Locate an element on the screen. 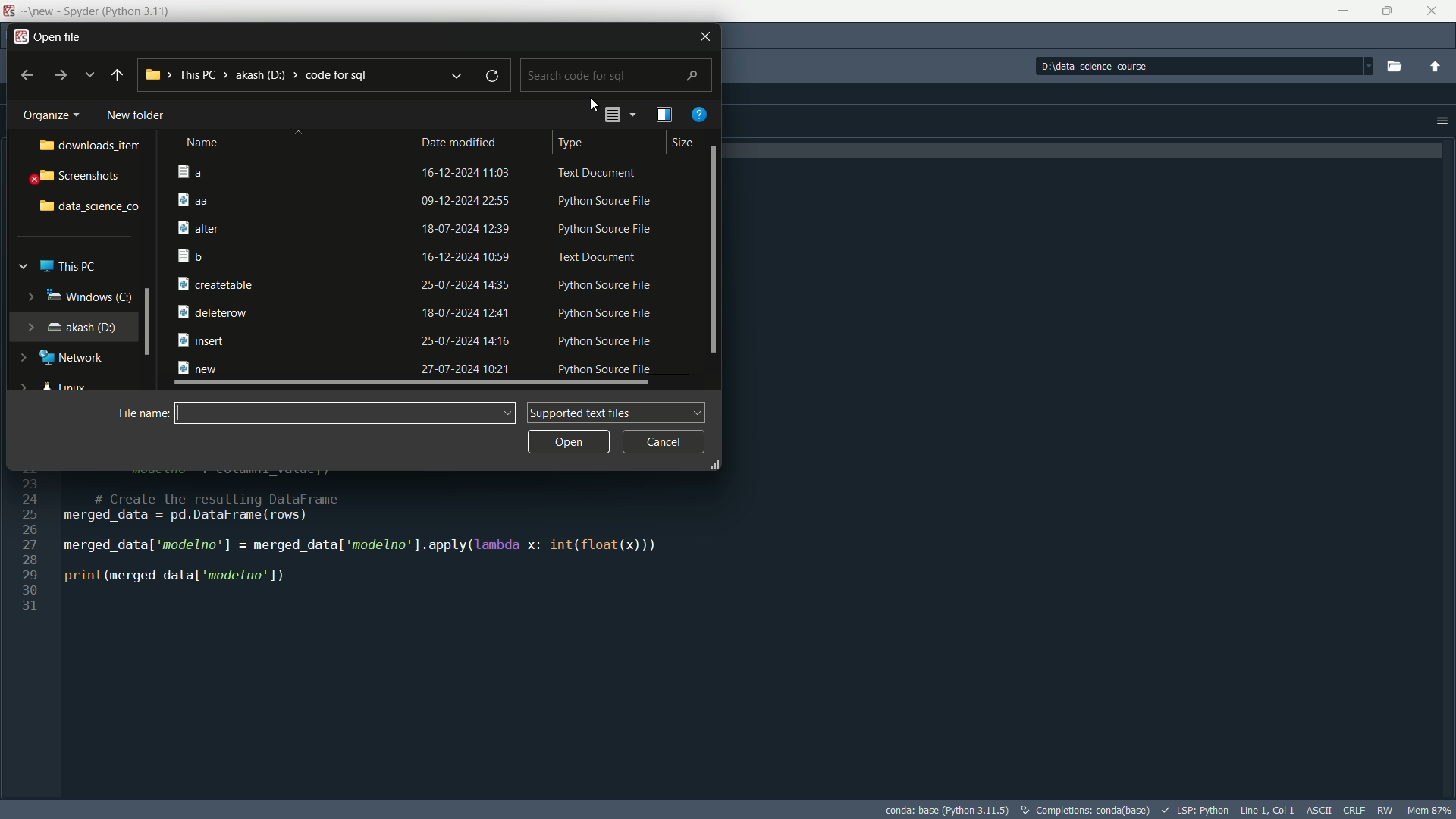 This screenshot has height=819, width=1456. file-1 is located at coordinates (416, 199).